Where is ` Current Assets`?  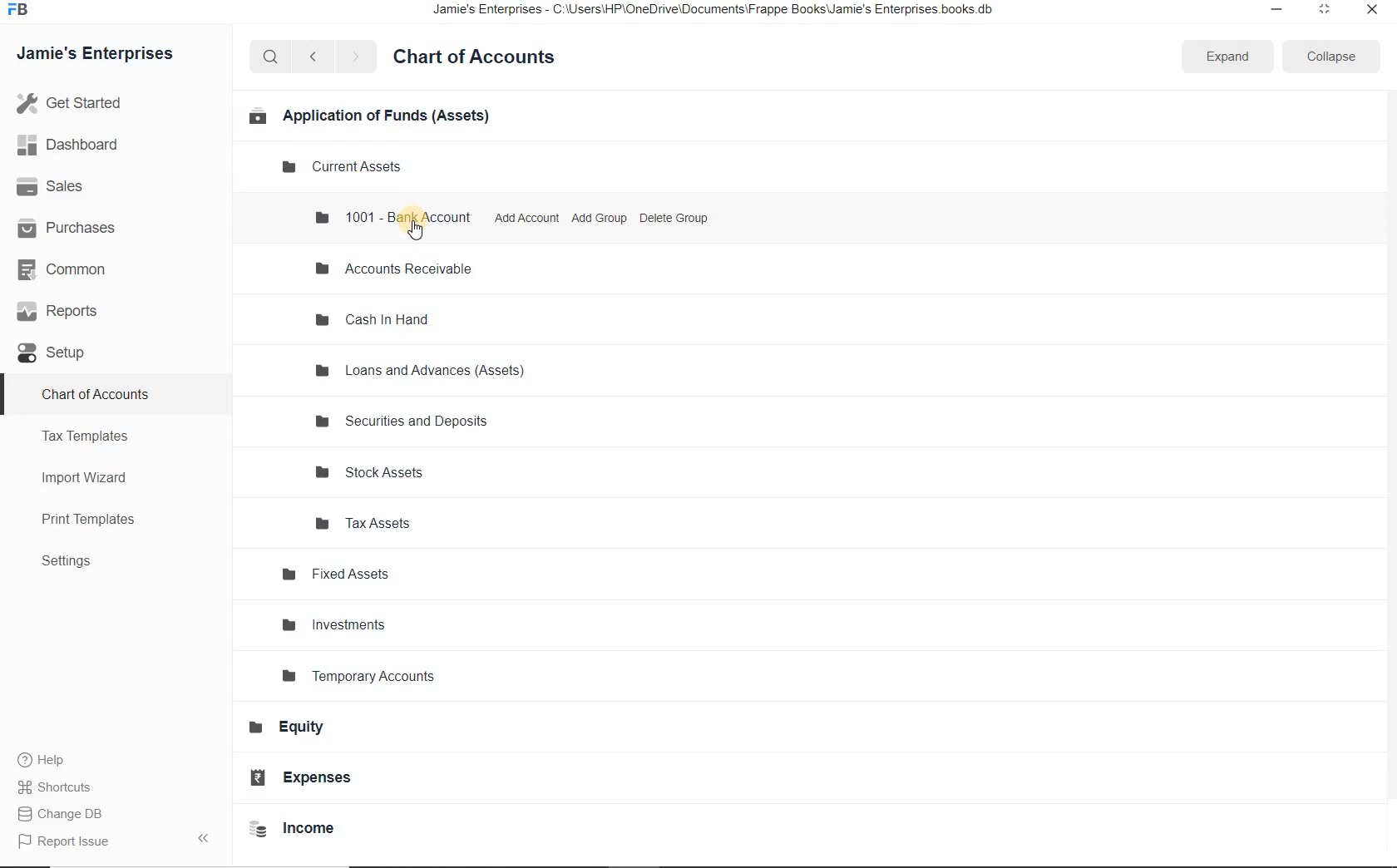
 Current Assets is located at coordinates (345, 167).